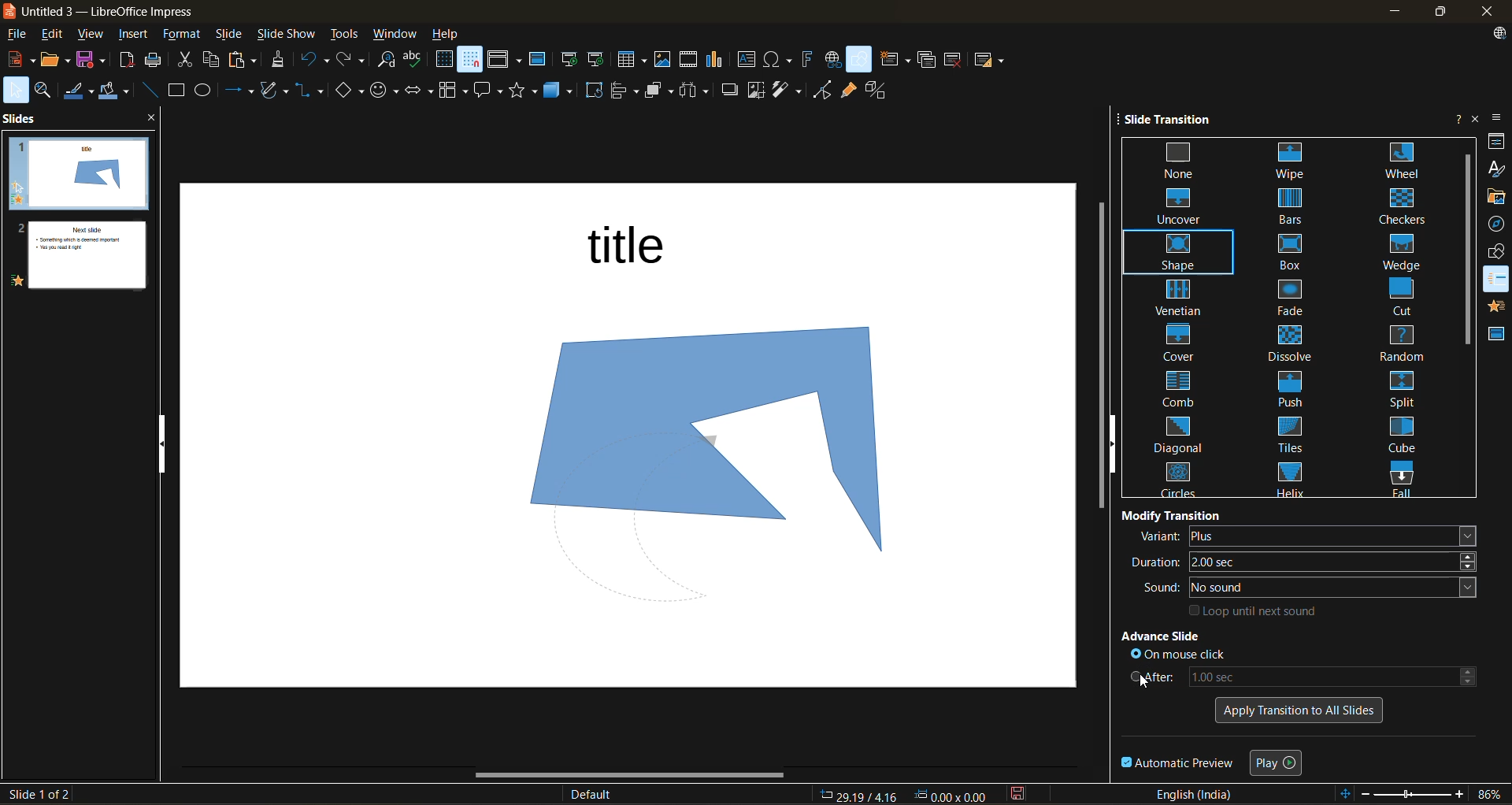  Describe the element at coordinates (386, 60) in the screenshot. I see `find and replace` at that location.